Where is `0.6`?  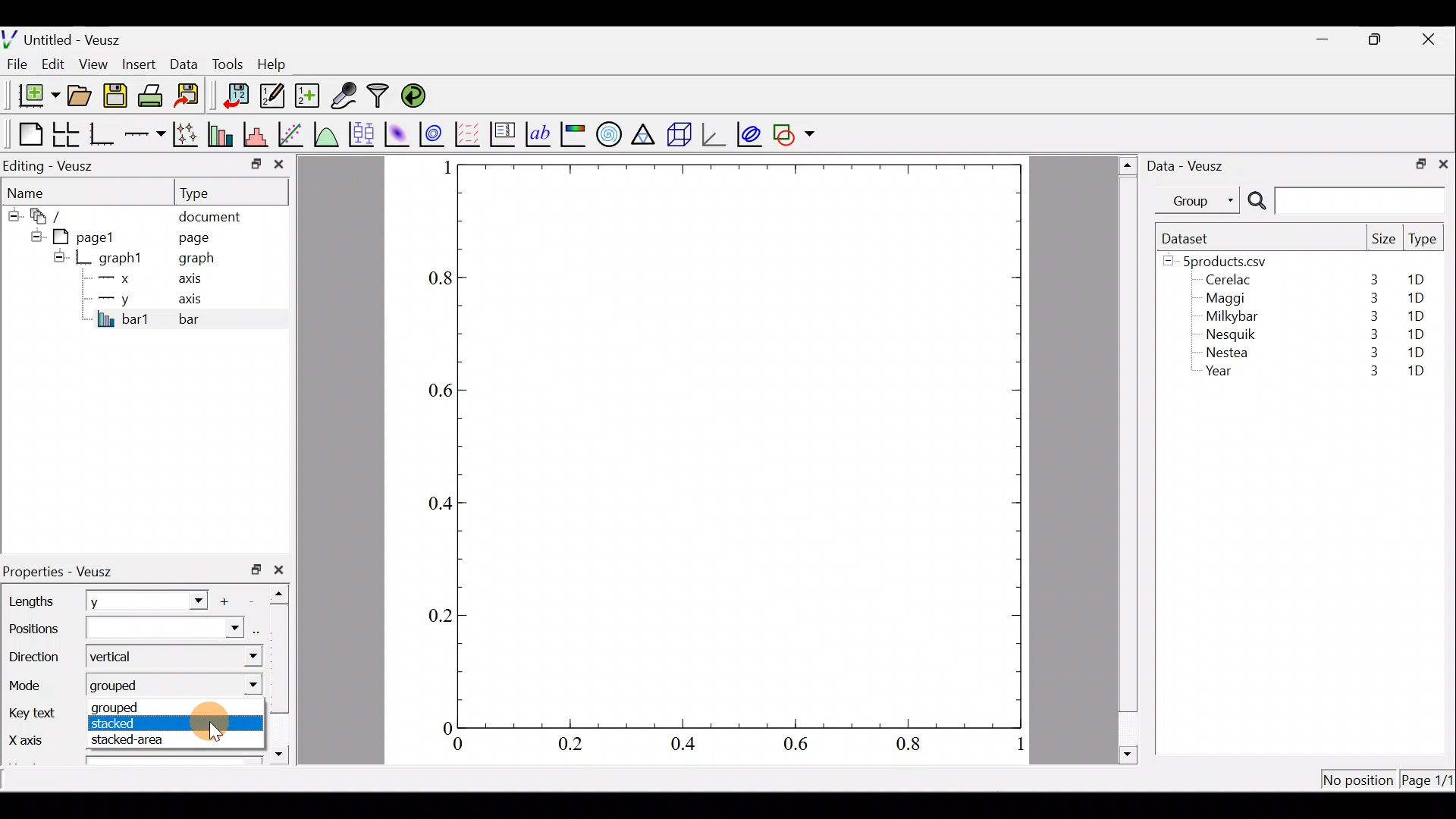 0.6 is located at coordinates (437, 391).